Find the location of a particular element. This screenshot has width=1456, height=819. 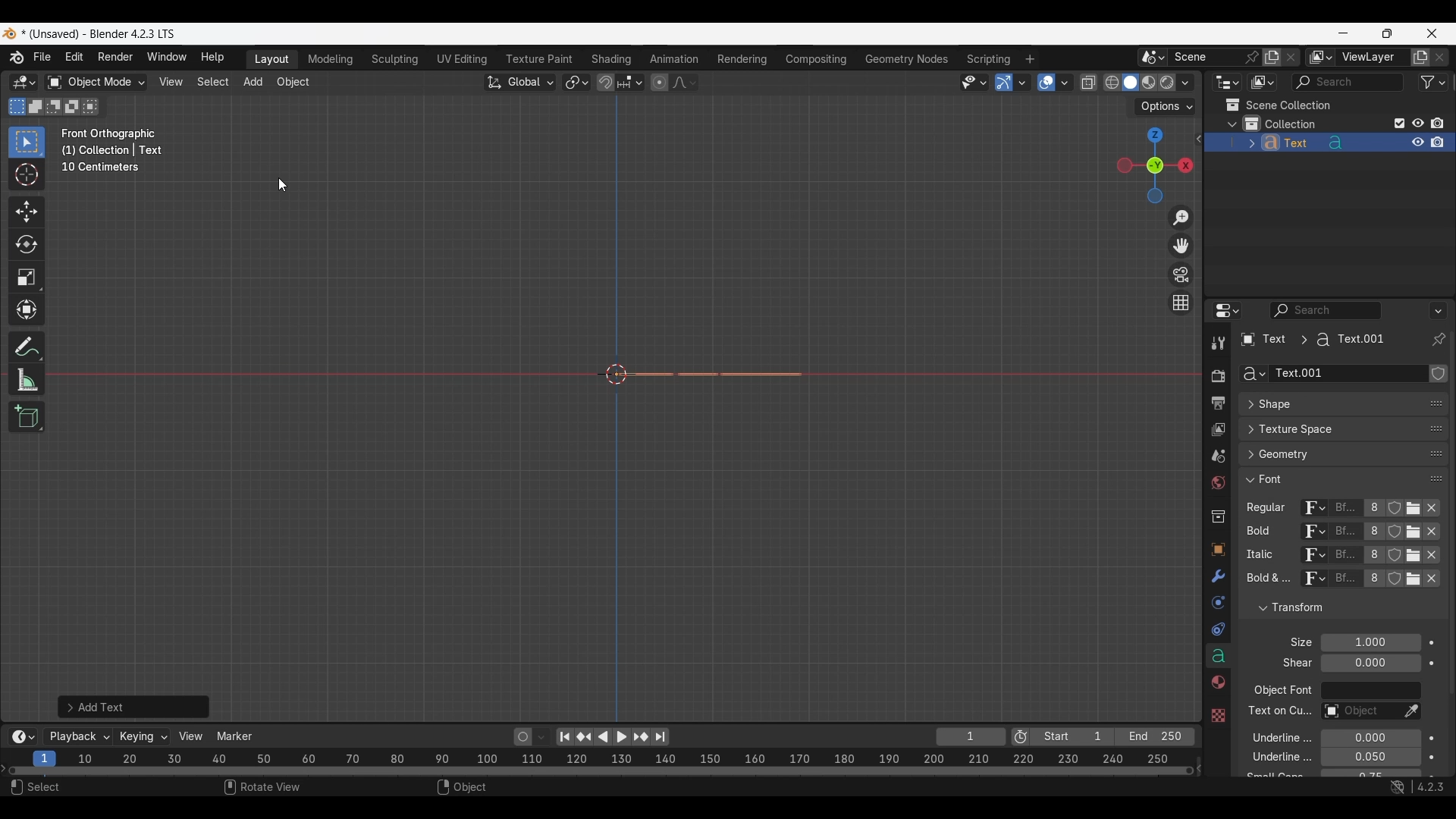

Move the view is located at coordinates (1182, 246).